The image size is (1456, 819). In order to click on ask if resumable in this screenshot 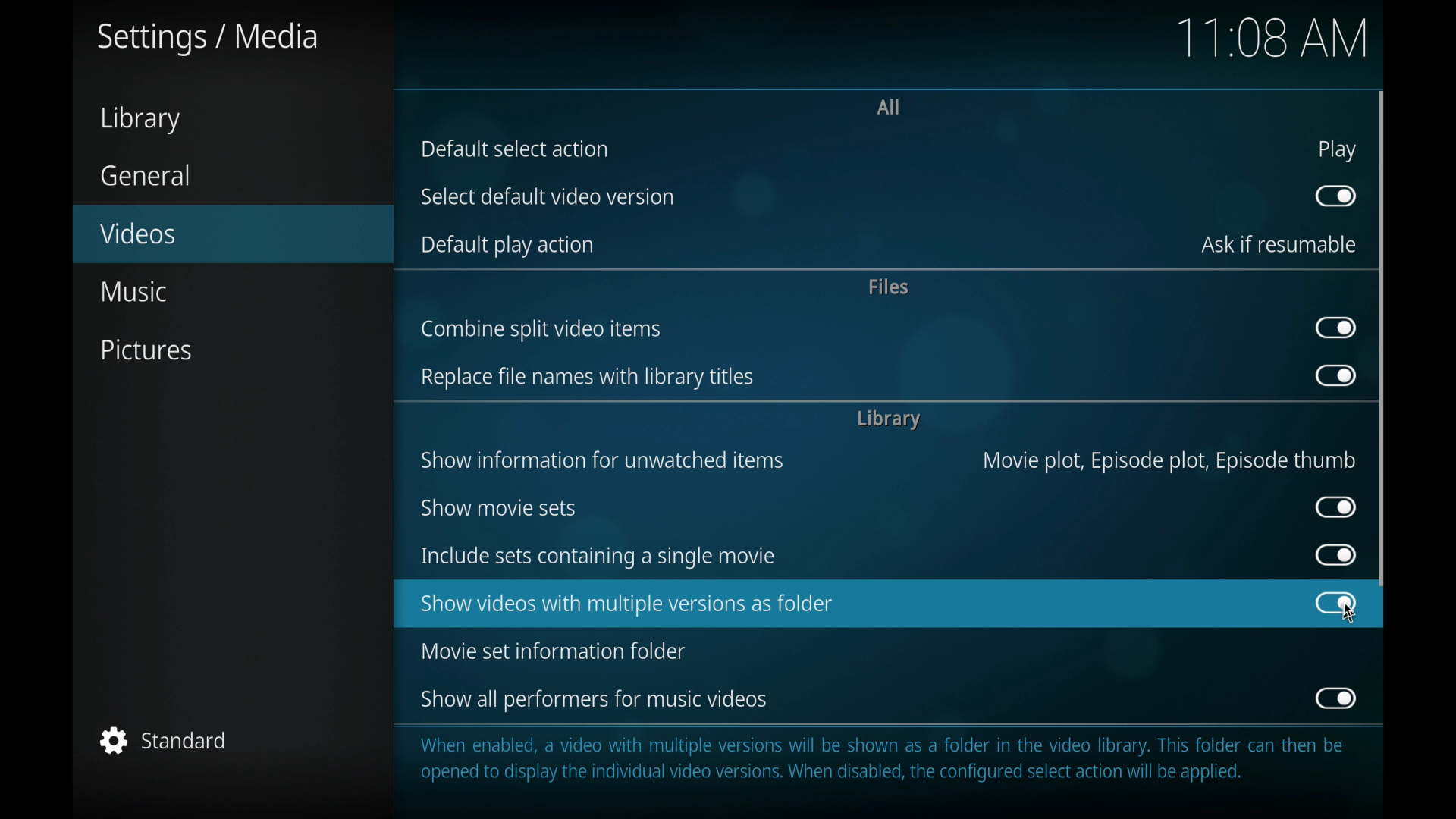, I will do `click(1279, 245)`.